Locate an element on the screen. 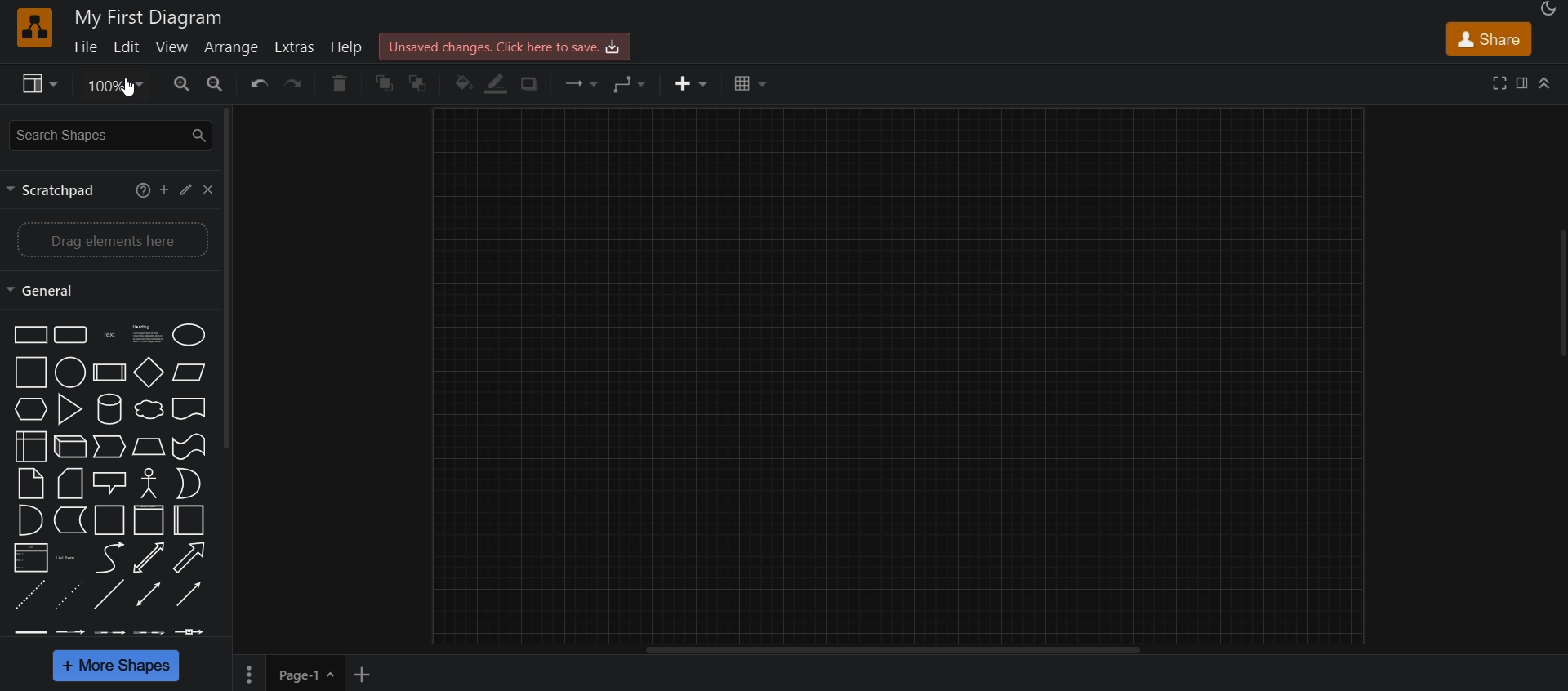 The width and height of the screenshot is (1568, 691). help is located at coordinates (142, 192).